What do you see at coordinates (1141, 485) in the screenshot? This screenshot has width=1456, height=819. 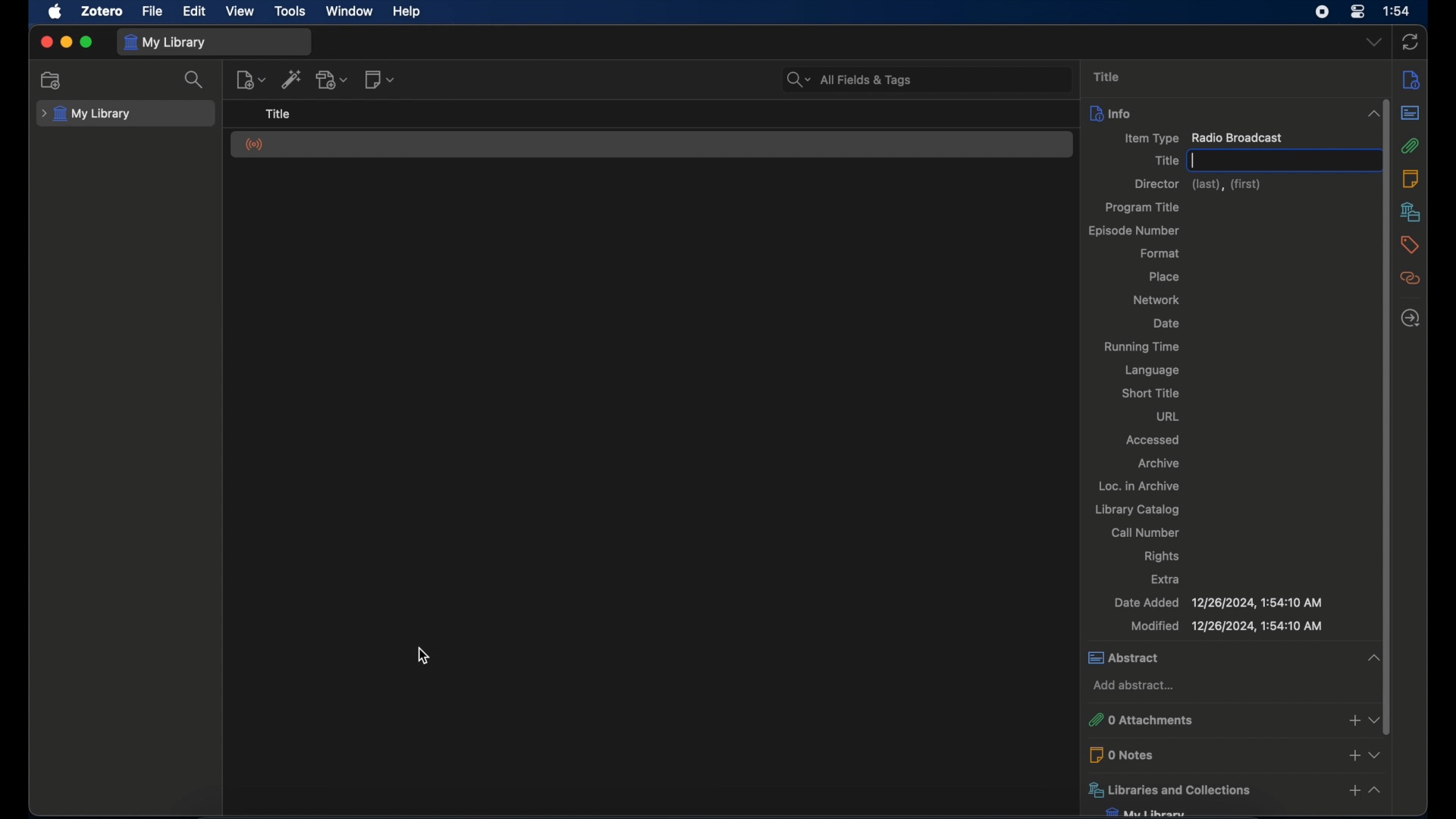 I see `loc. in archive` at bounding box center [1141, 485].